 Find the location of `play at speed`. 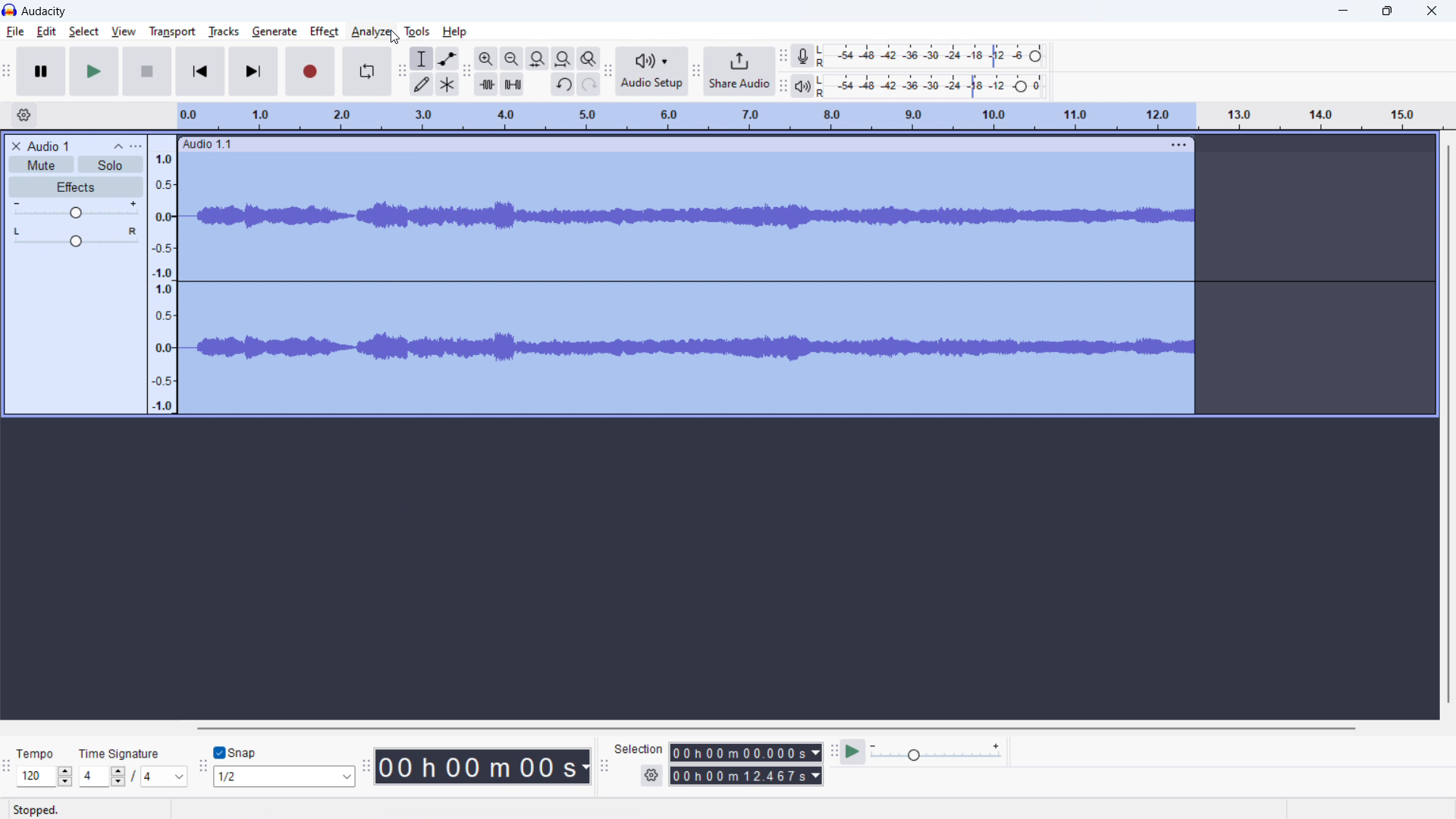

play at speed is located at coordinates (853, 752).